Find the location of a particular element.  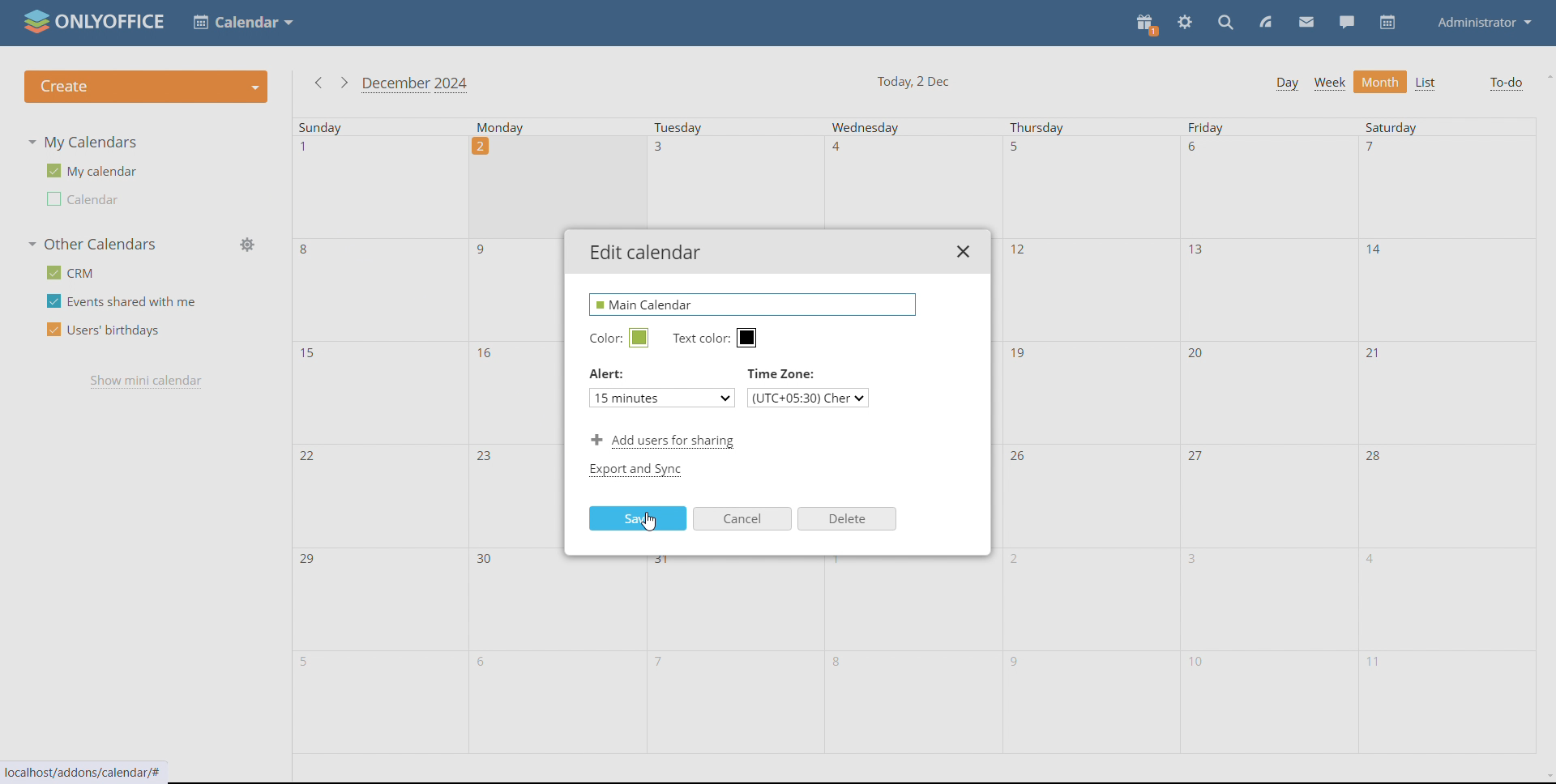

 is located at coordinates (1268, 445).